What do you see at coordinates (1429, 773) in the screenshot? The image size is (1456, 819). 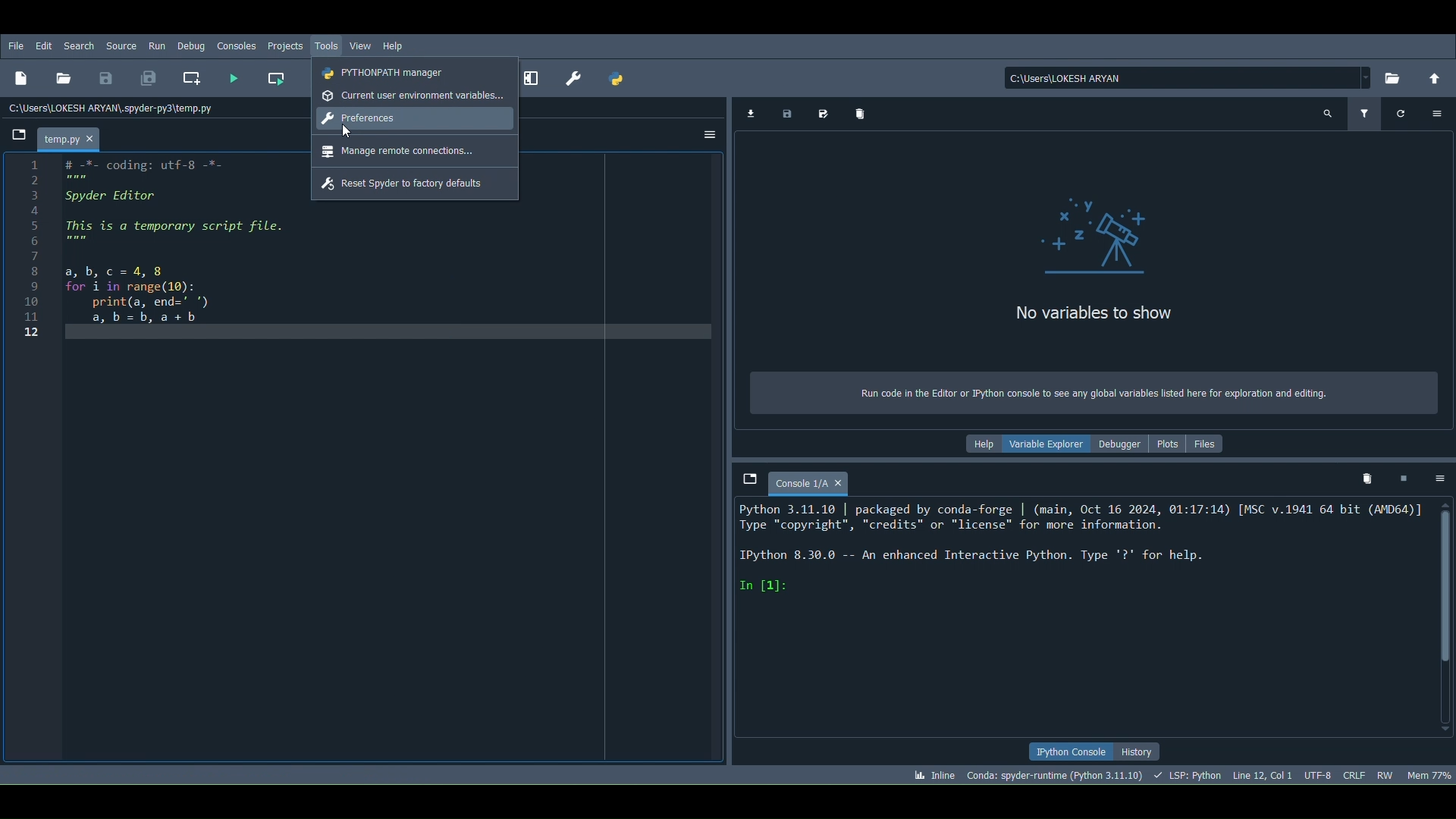 I see `Global memory usage` at bounding box center [1429, 773].